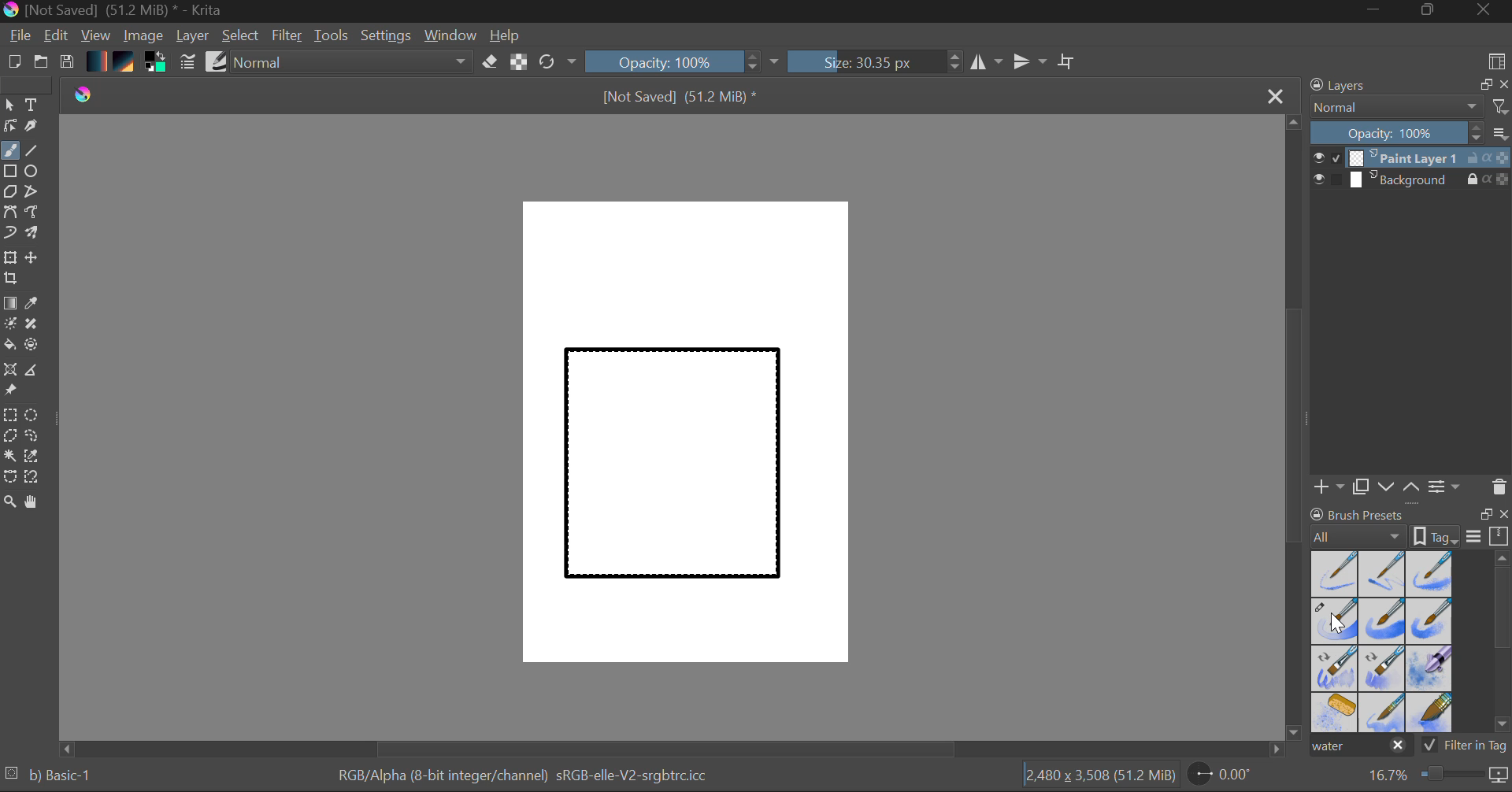  What do you see at coordinates (1432, 713) in the screenshot?
I see `Water C - Wide Area` at bounding box center [1432, 713].